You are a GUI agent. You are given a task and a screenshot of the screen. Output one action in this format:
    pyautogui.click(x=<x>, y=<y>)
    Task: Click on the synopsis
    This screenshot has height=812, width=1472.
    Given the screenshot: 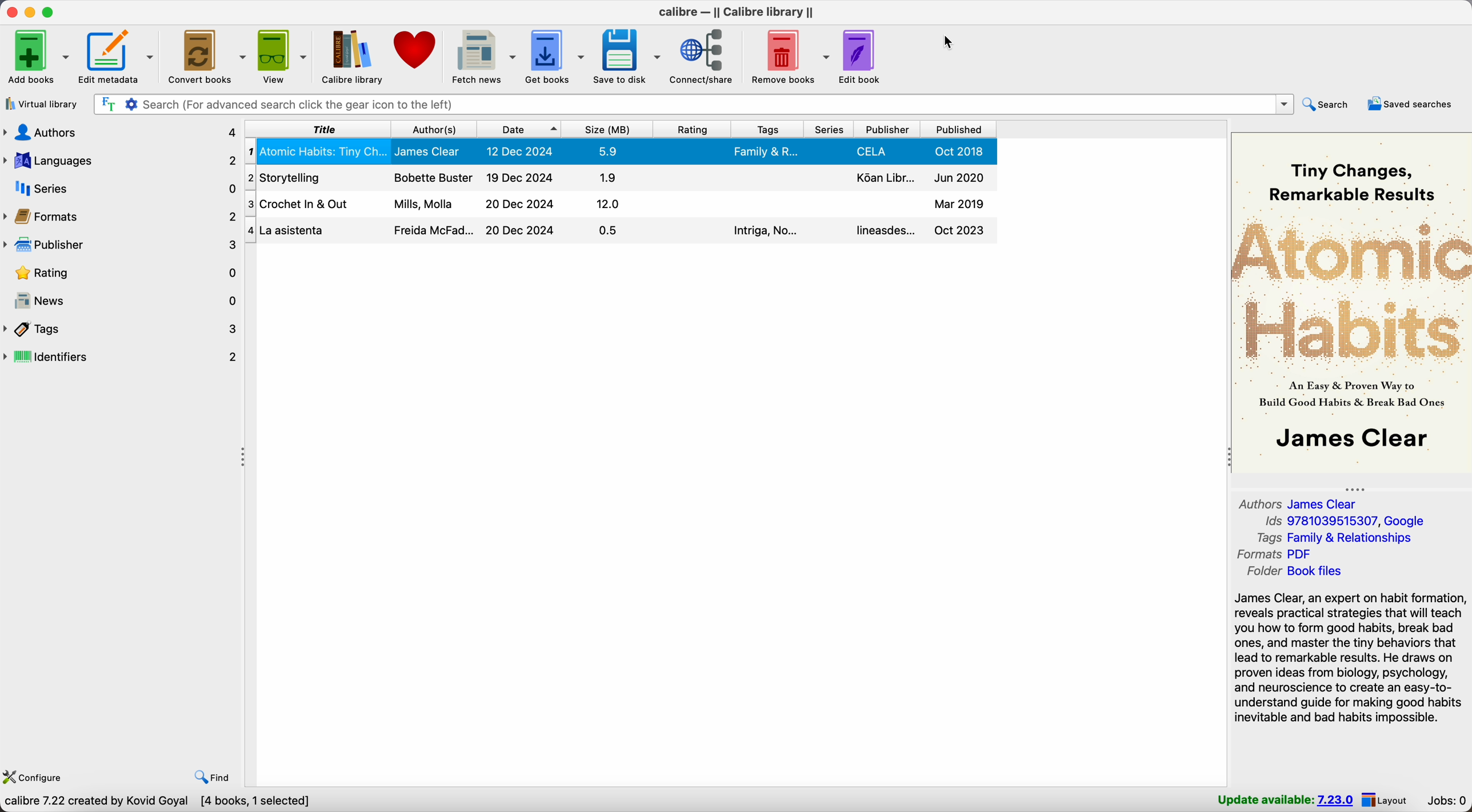 What is the action you would take?
    pyautogui.click(x=1350, y=658)
    